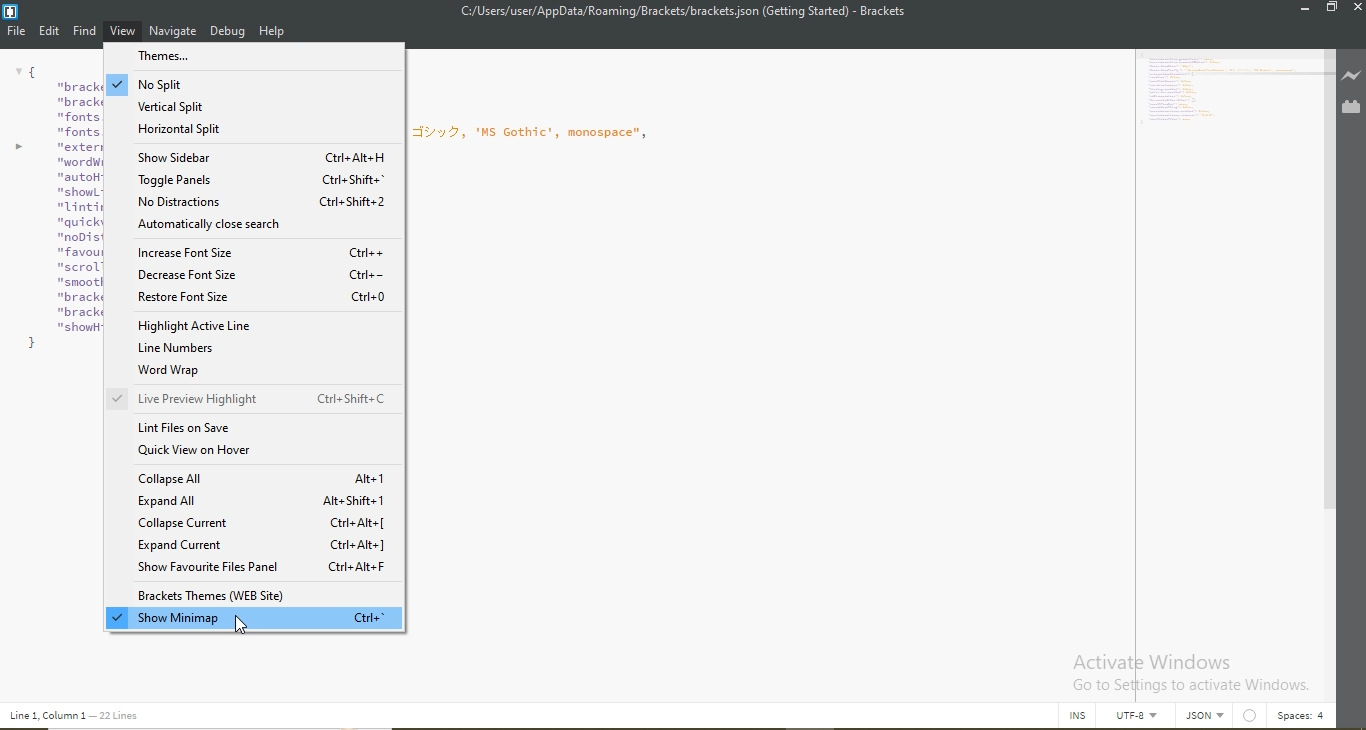 This screenshot has width=1366, height=730. Describe the element at coordinates (1351, 108) in the screenshot. I see `Extension Manager` at that location.